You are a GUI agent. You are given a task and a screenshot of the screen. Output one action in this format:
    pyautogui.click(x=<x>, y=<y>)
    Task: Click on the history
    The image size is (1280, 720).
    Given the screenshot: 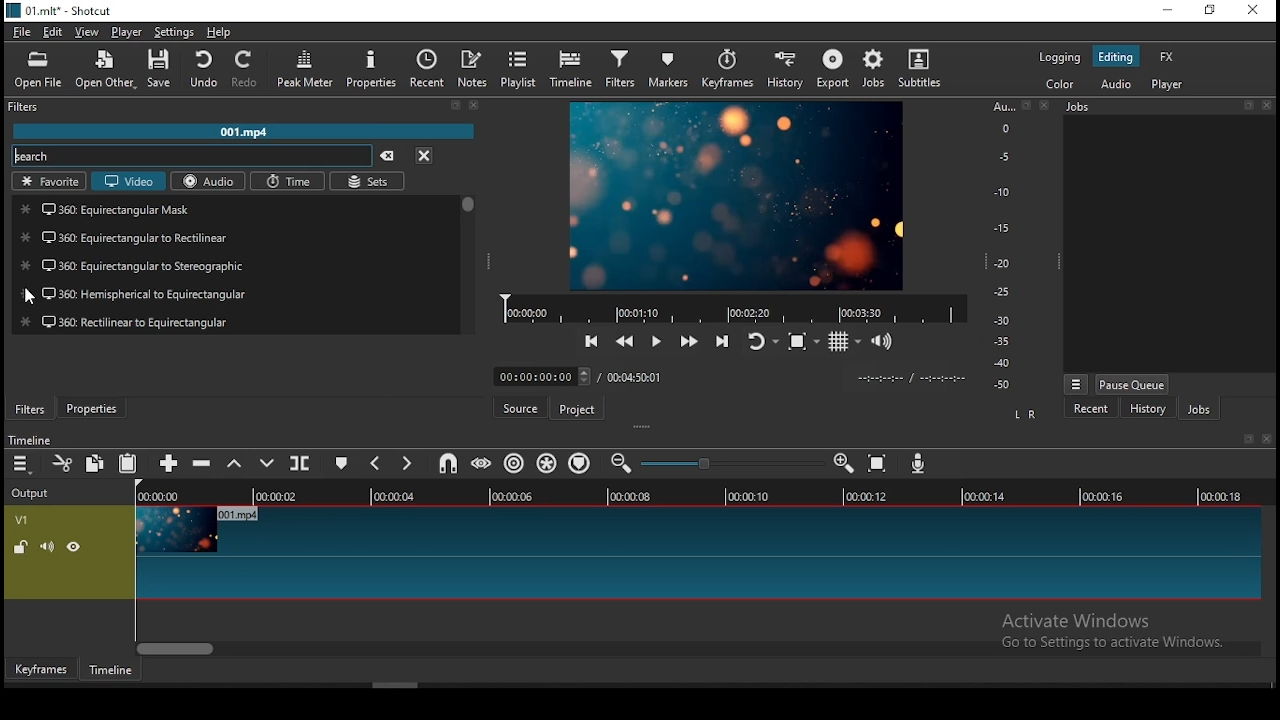 What is the action you would take?
    pyautogui.click(x=787, y=69)
    